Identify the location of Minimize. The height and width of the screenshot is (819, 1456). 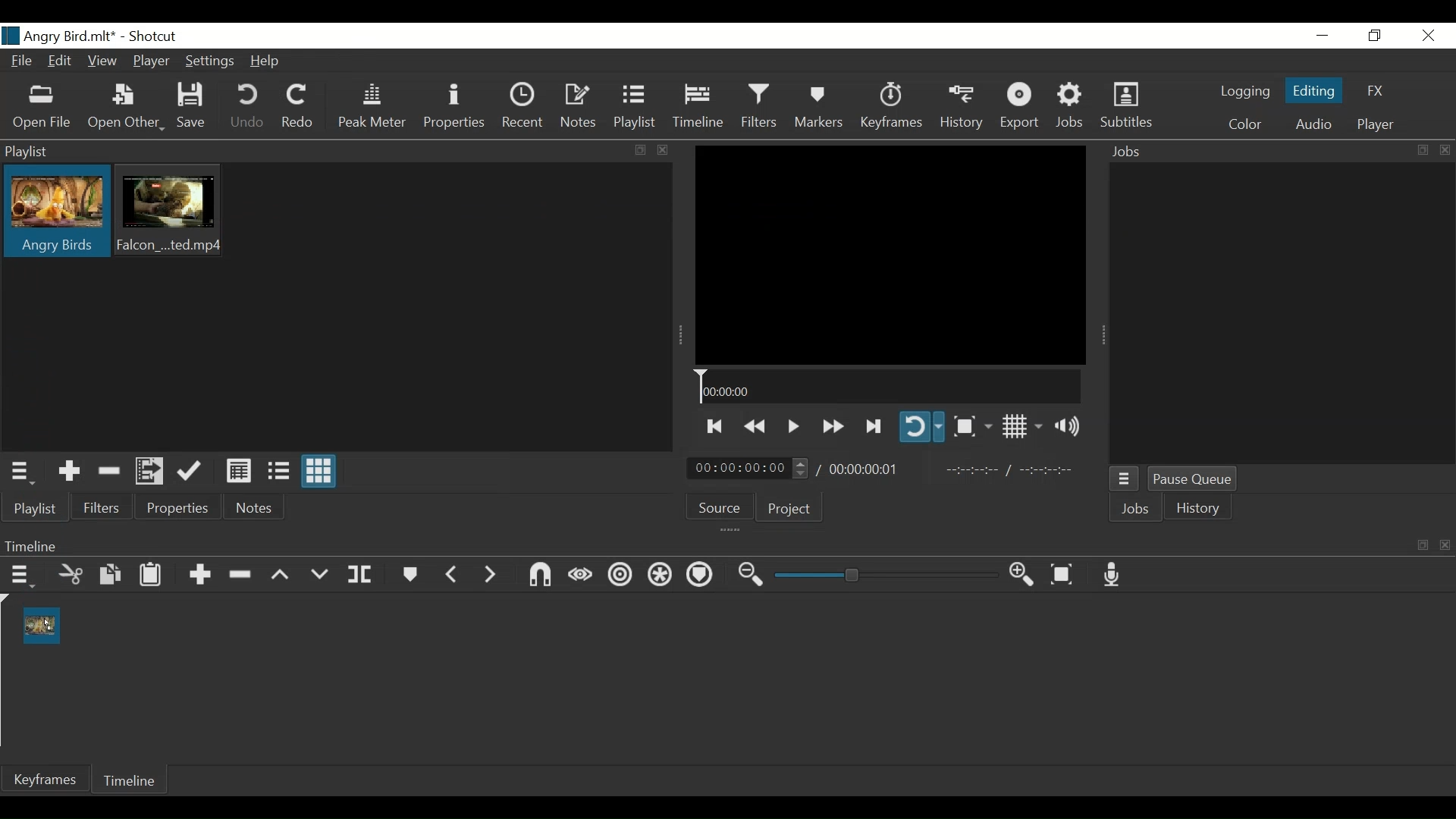
(1323, 36).